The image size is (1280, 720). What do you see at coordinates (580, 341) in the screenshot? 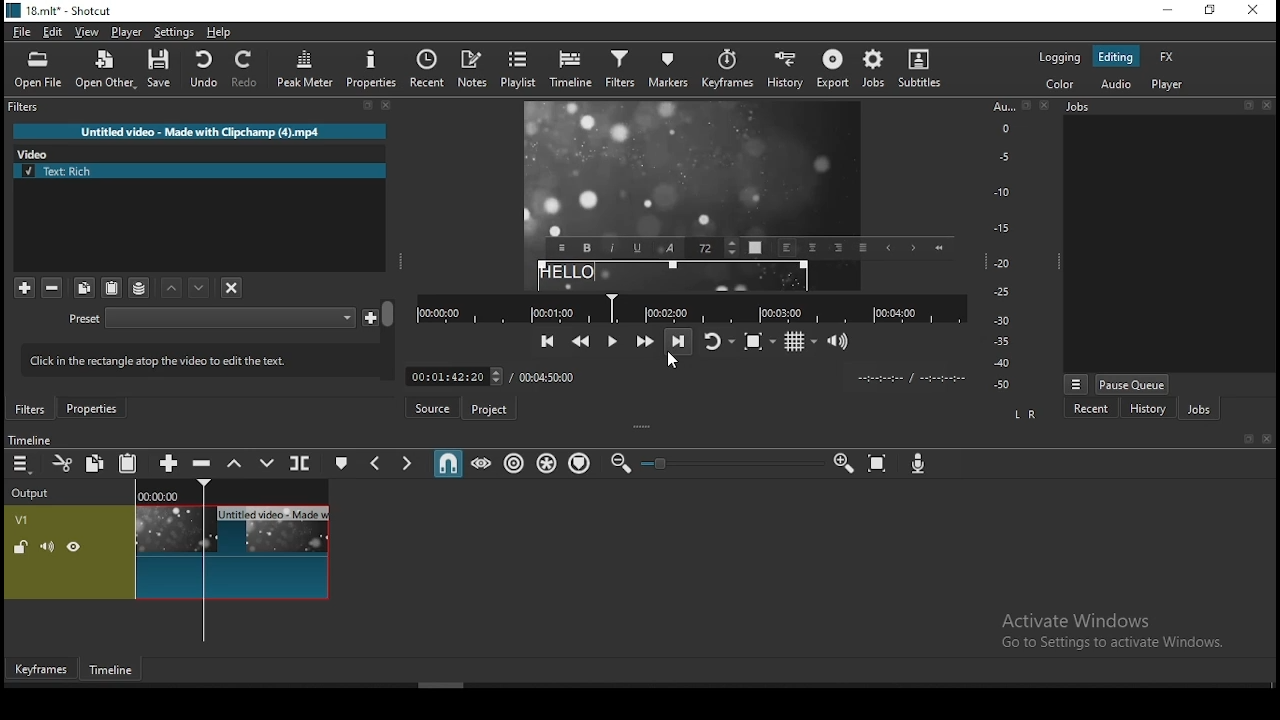
I see `play quickly backwards` at bounding box center [580, 341].